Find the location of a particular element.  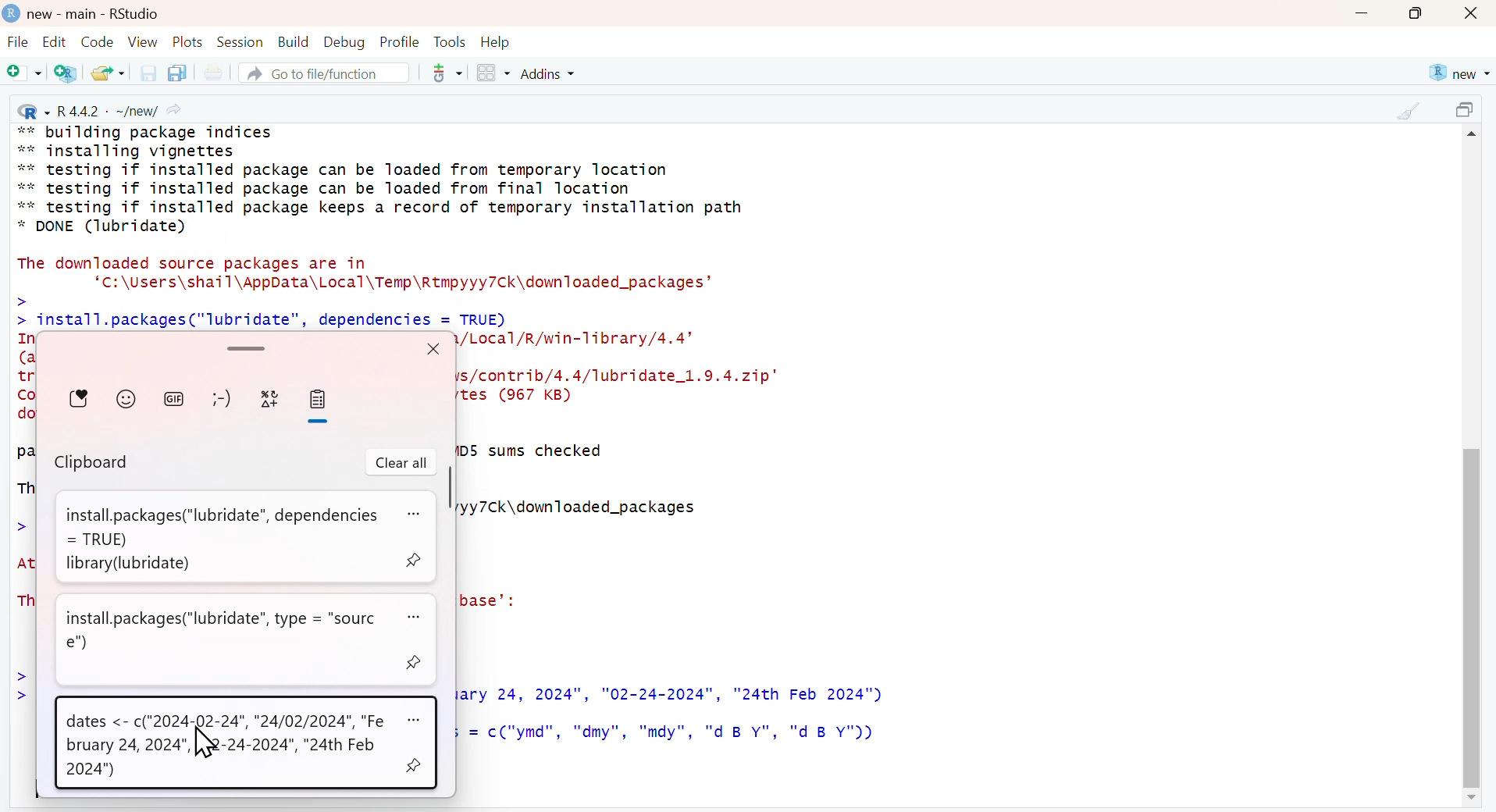

Plots is located at coordinates (188, 41).